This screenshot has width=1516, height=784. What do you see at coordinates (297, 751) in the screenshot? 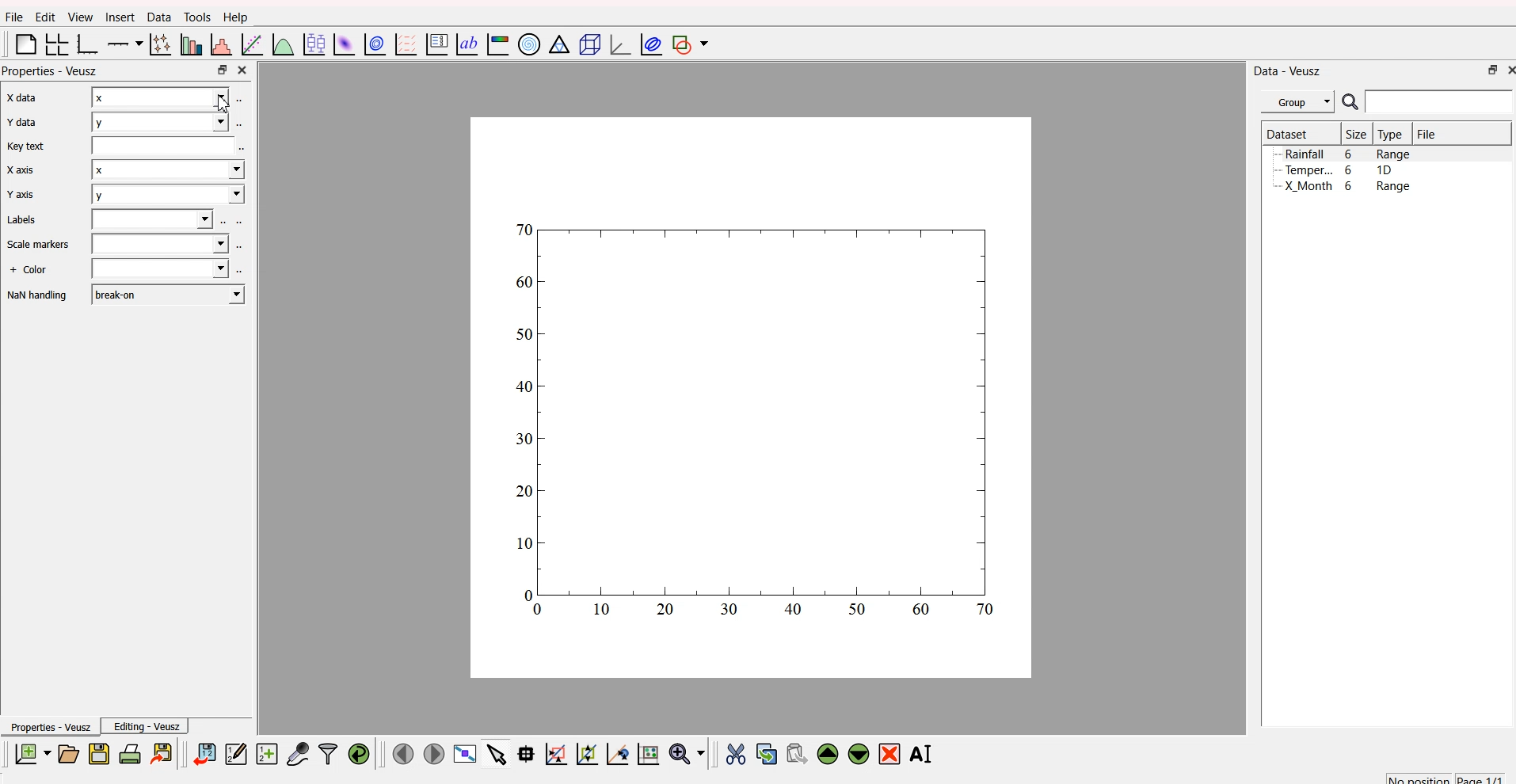
I see `capture a dataset` at bounding box center [297, 751].